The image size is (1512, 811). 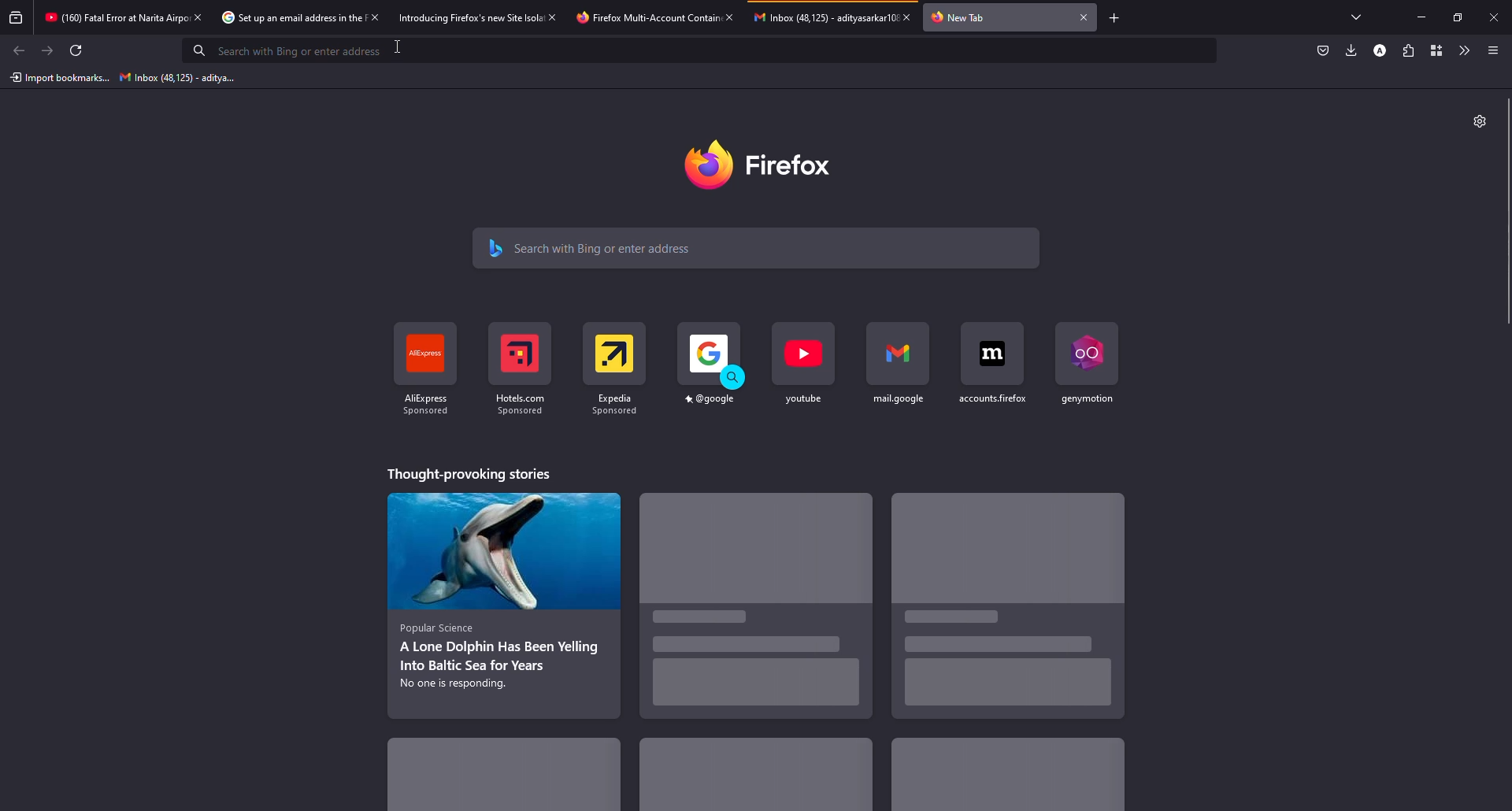 What do you see at coordinates (758, 612) in the screenshot?
I see `stories` at bounding box center [758, 612].